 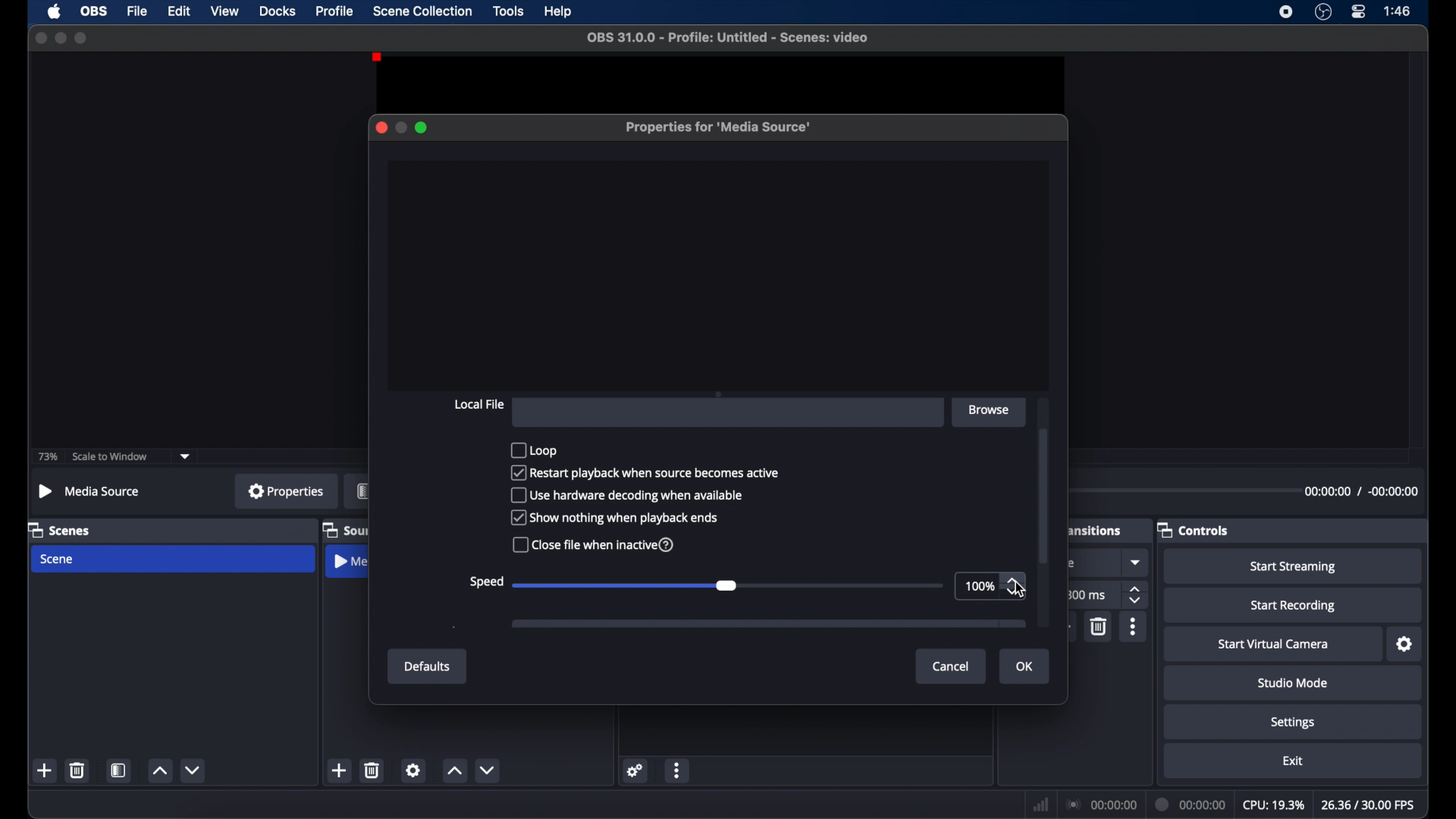 What do you see at coordinates (1405, 645) in the screenshot?
I see `settings` at bounding box center [1405, 645].